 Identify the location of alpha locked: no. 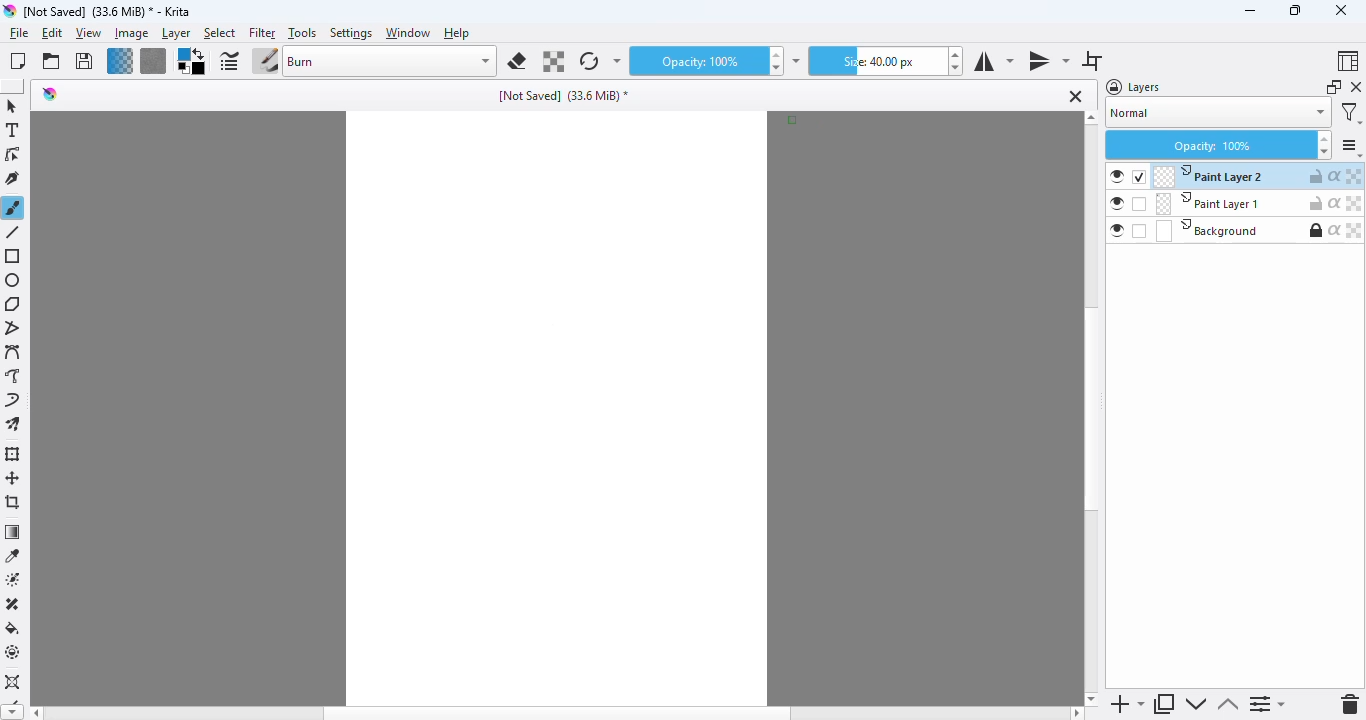
(1355, 203).